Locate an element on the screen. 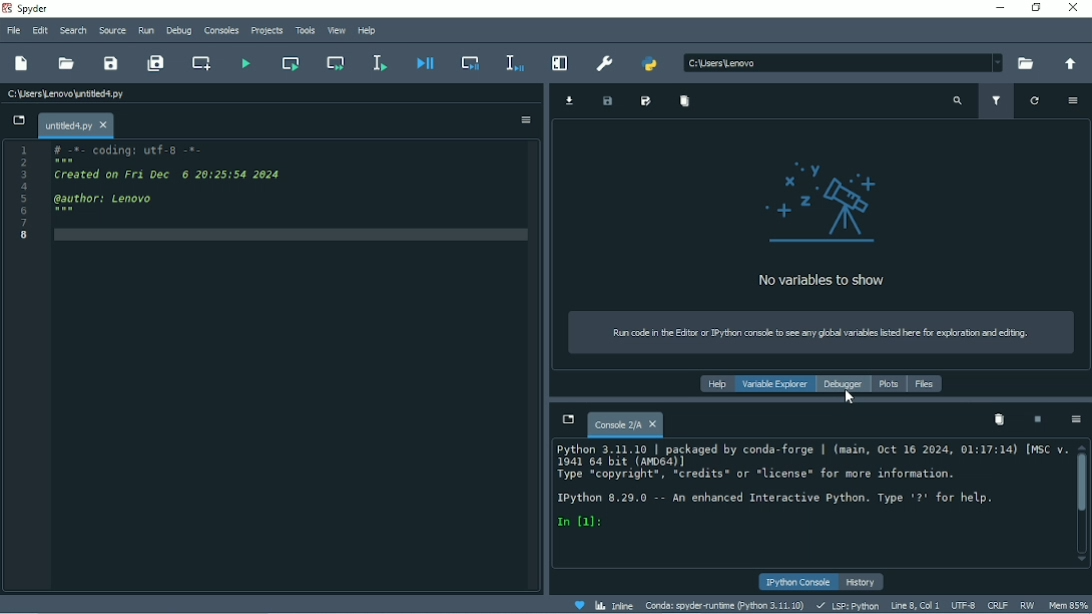  Remove all variables is located at coordinates (683, 101).